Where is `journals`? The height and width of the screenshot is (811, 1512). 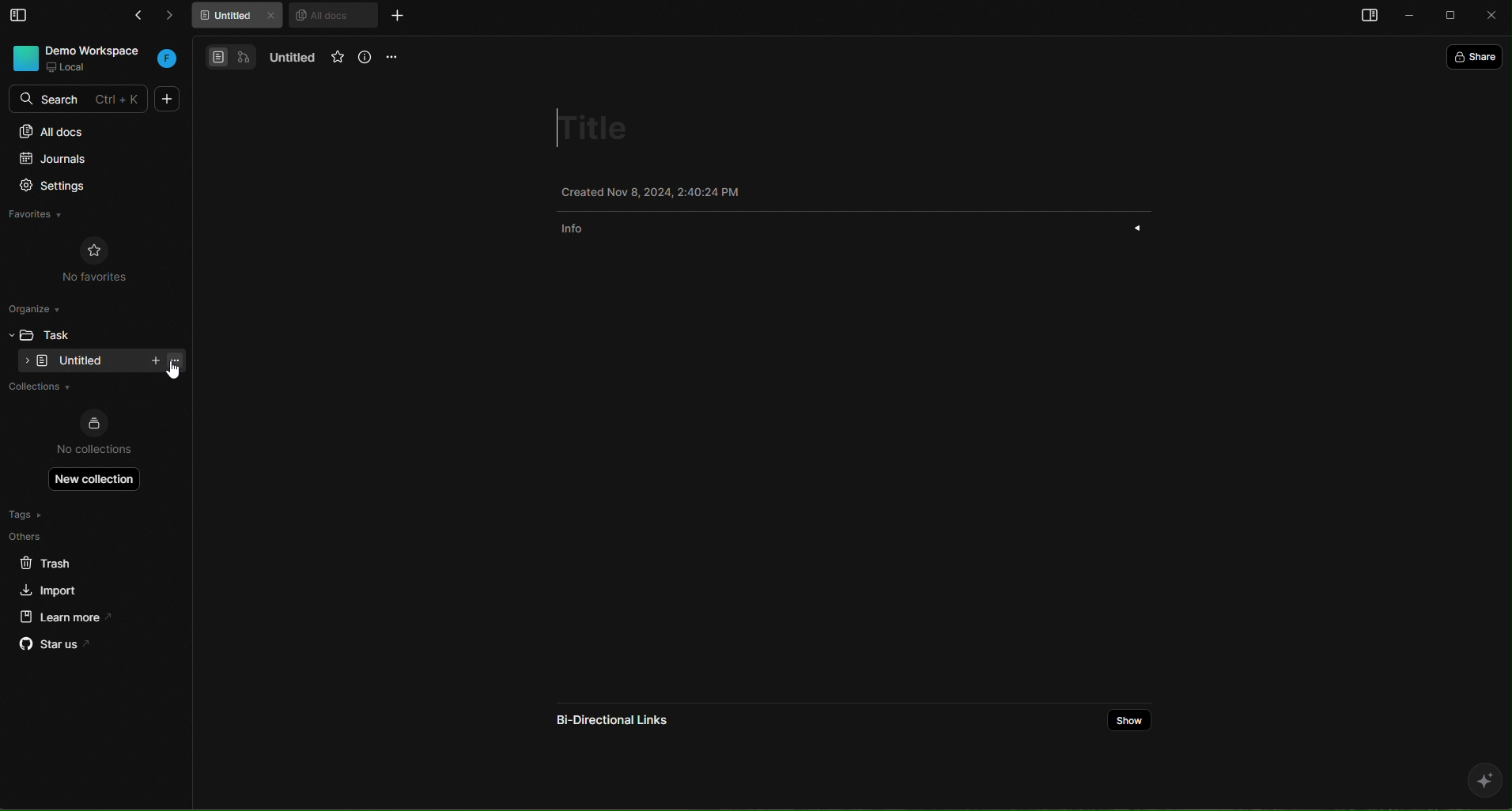 journals is located at coordinates (85, 160).